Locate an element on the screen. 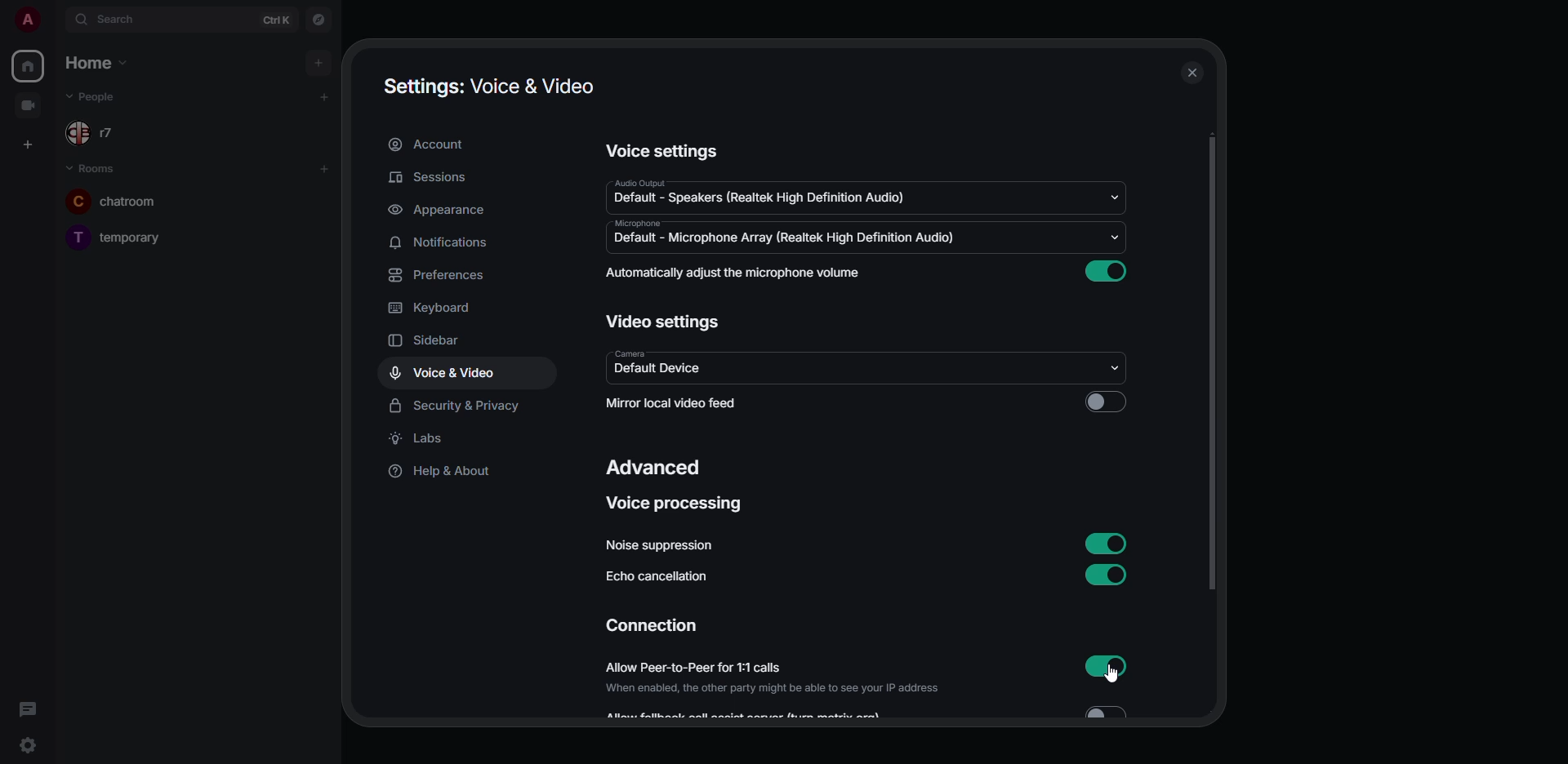 The image size is (1568, 764). sessions is located at coordinates (434, 178).